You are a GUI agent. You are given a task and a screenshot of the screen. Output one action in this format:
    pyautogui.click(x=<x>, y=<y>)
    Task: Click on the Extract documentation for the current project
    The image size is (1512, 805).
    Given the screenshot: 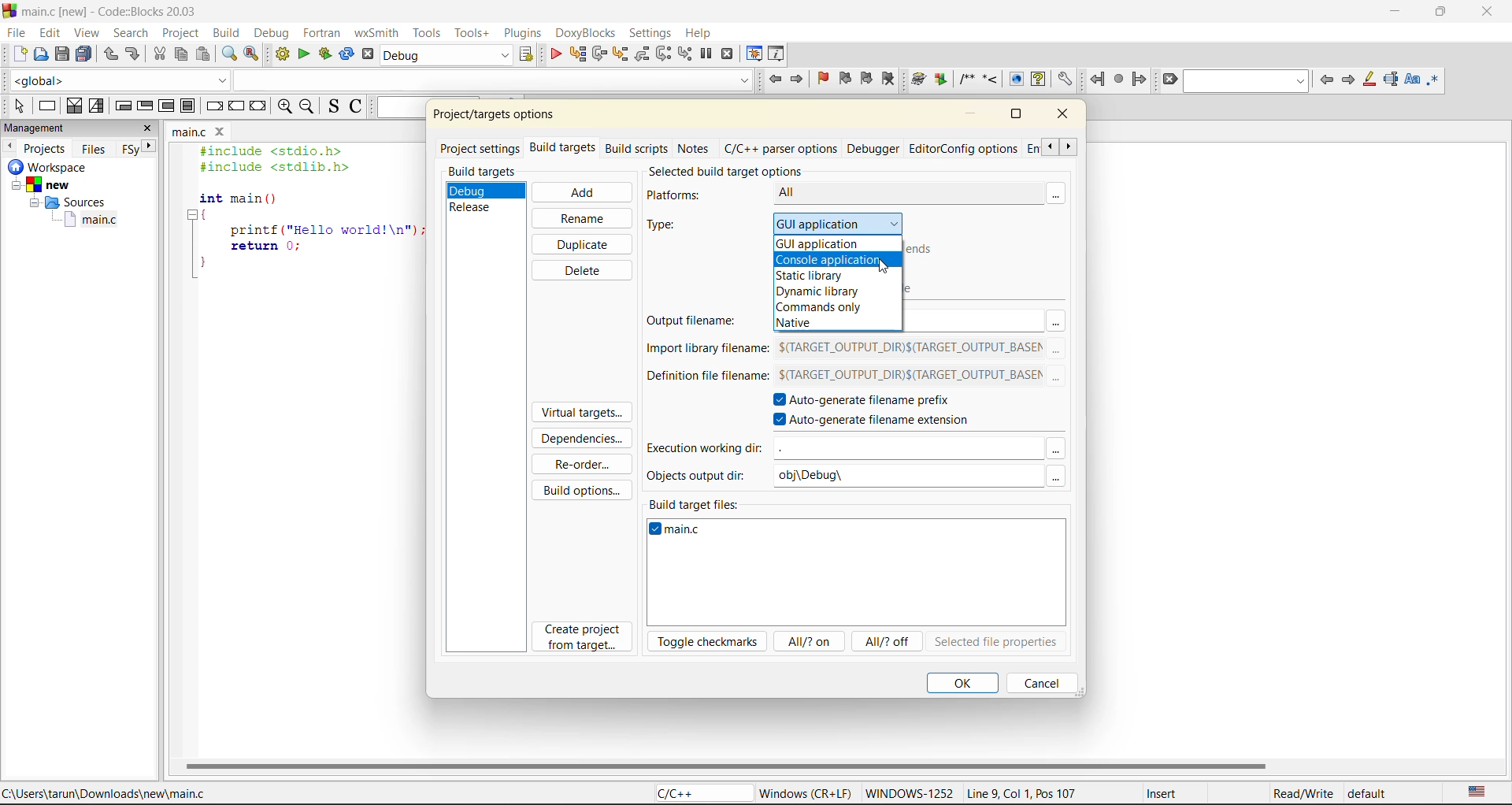 What is the action you would take?
    pyautogui.click(x=939, y=80)
    